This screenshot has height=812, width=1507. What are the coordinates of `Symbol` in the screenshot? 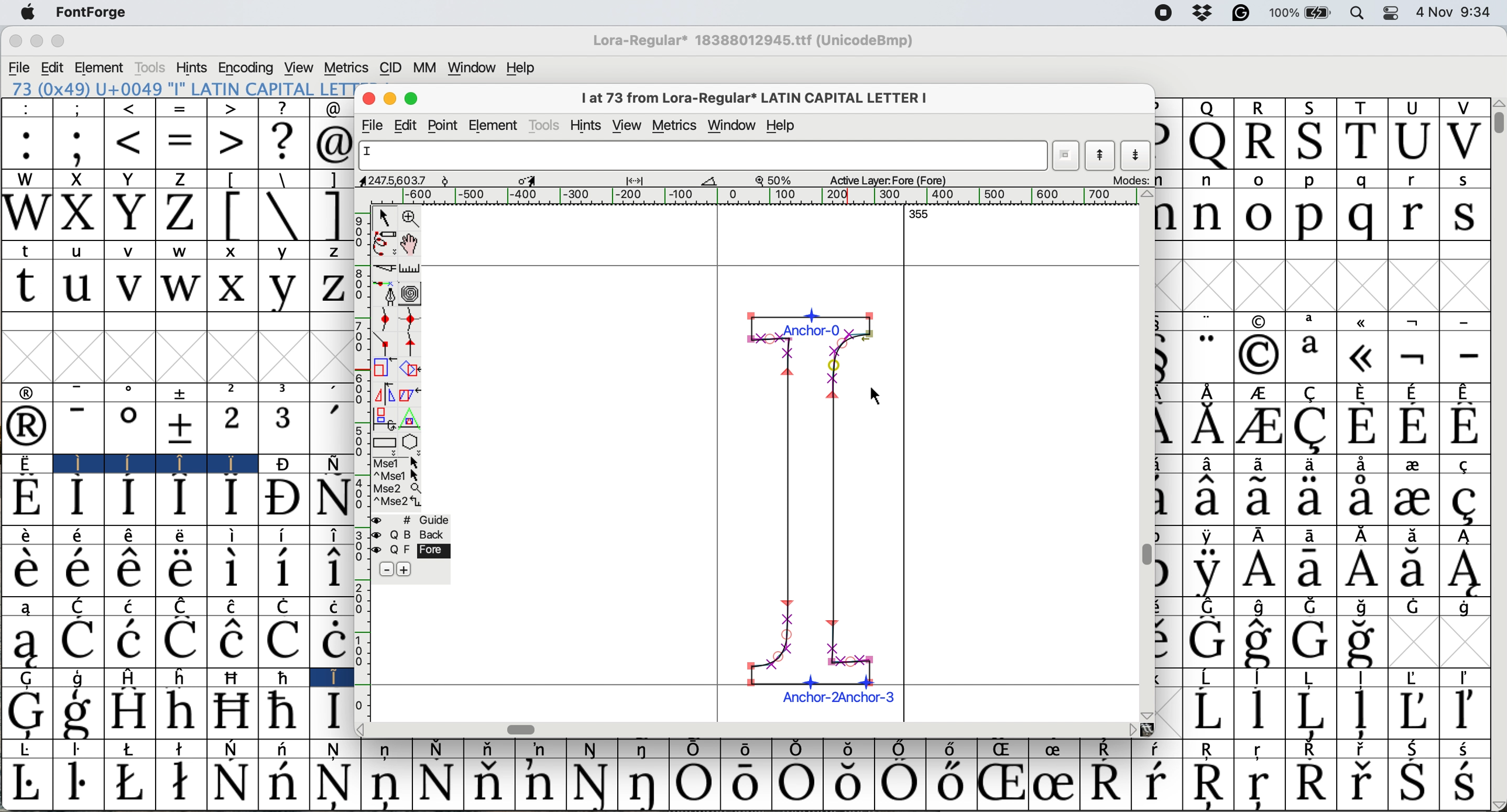 It's located at (1261, 393).